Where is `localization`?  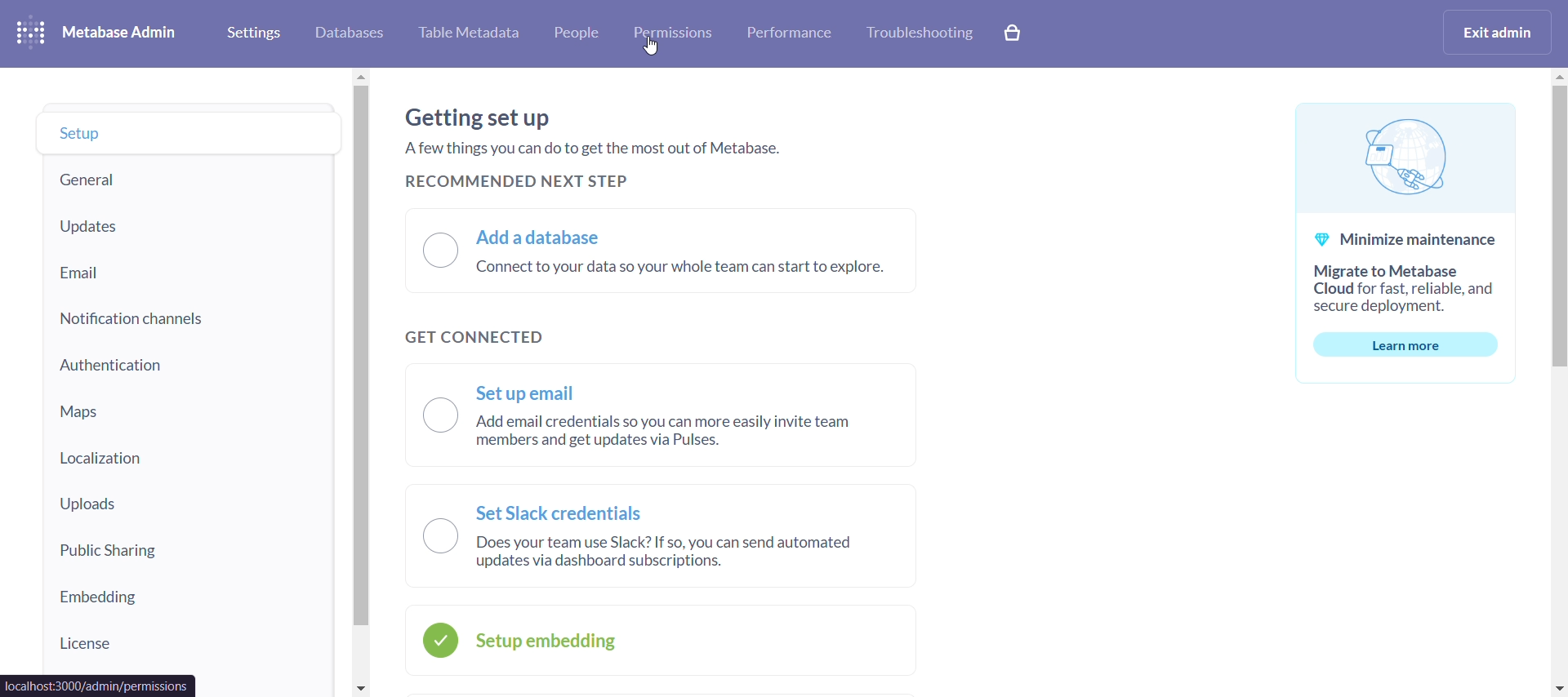
localization is located at coordinates (187, 455).